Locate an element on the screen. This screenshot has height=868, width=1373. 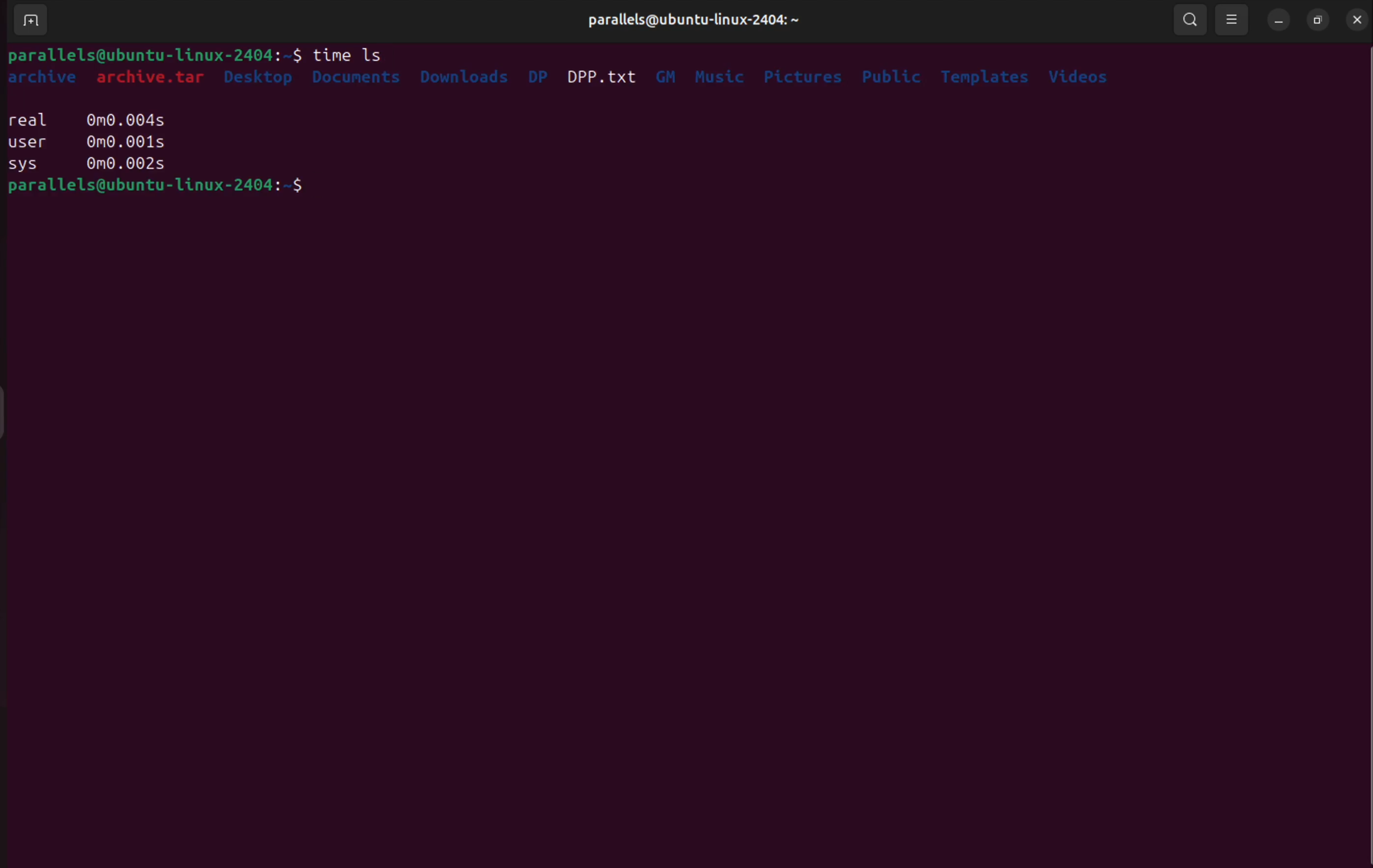
real is located at coordinates (30, 118).